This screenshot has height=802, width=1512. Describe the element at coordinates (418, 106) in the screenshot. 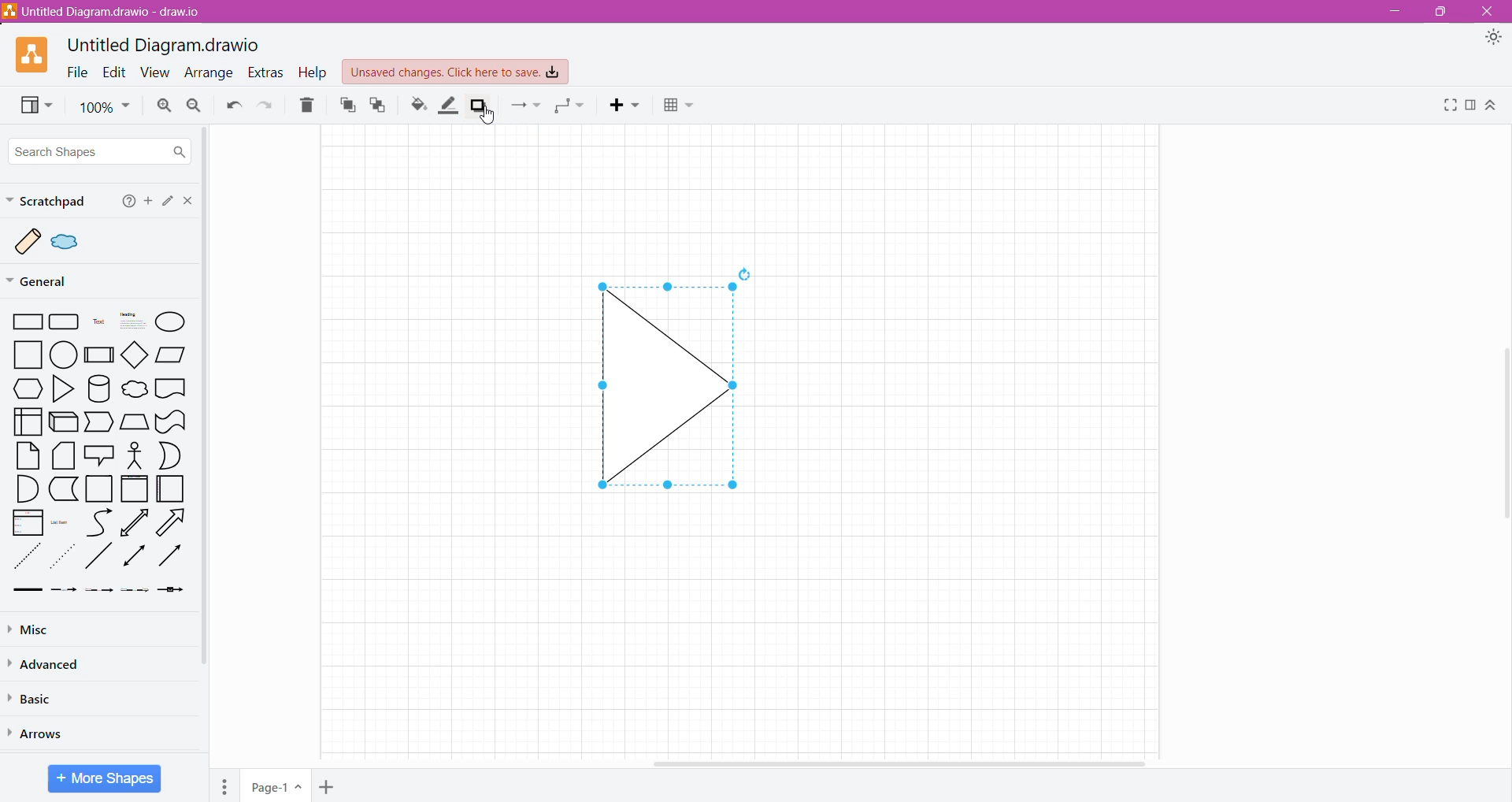

I see `Fill Color` at that location.